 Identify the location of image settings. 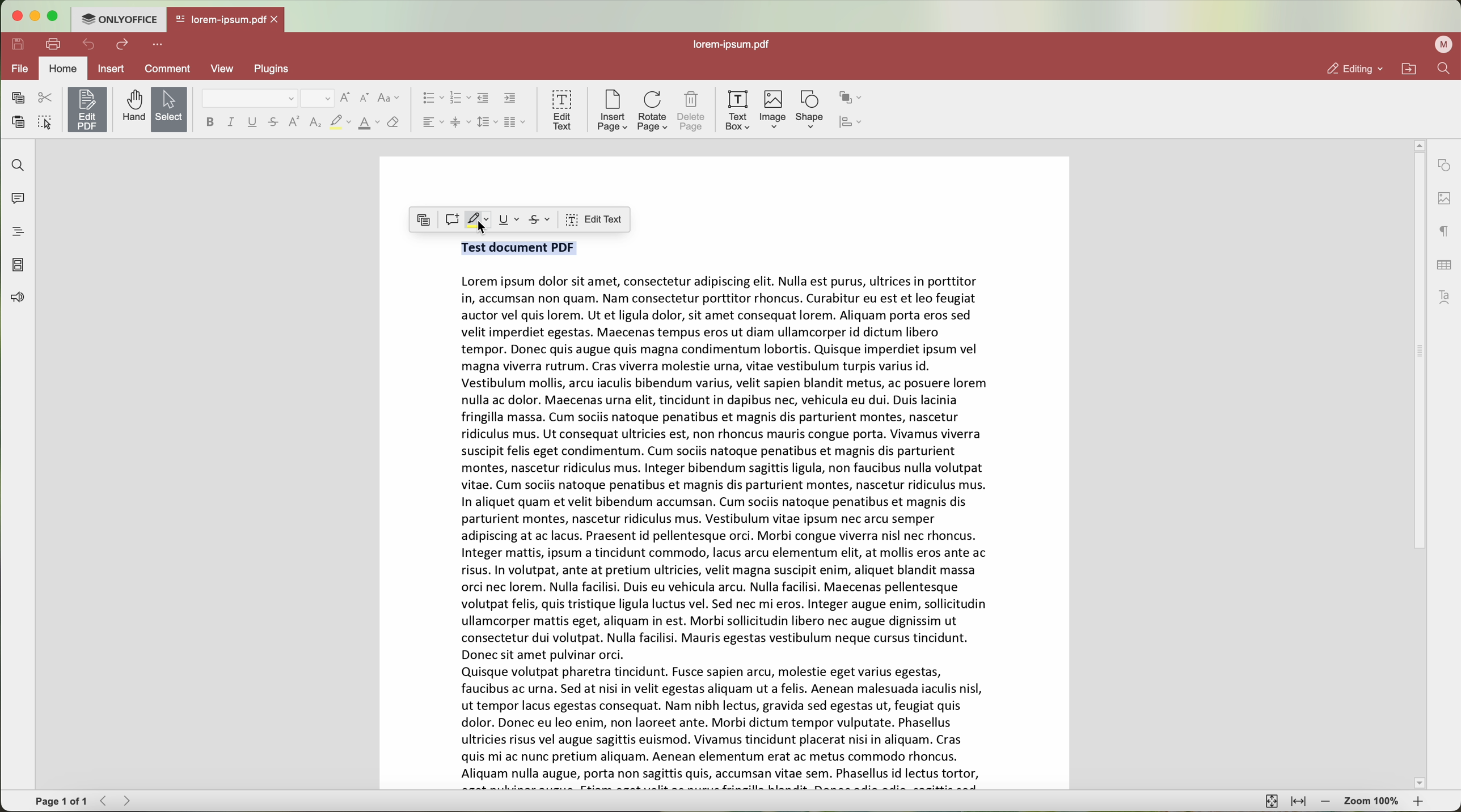
(1445, 200).